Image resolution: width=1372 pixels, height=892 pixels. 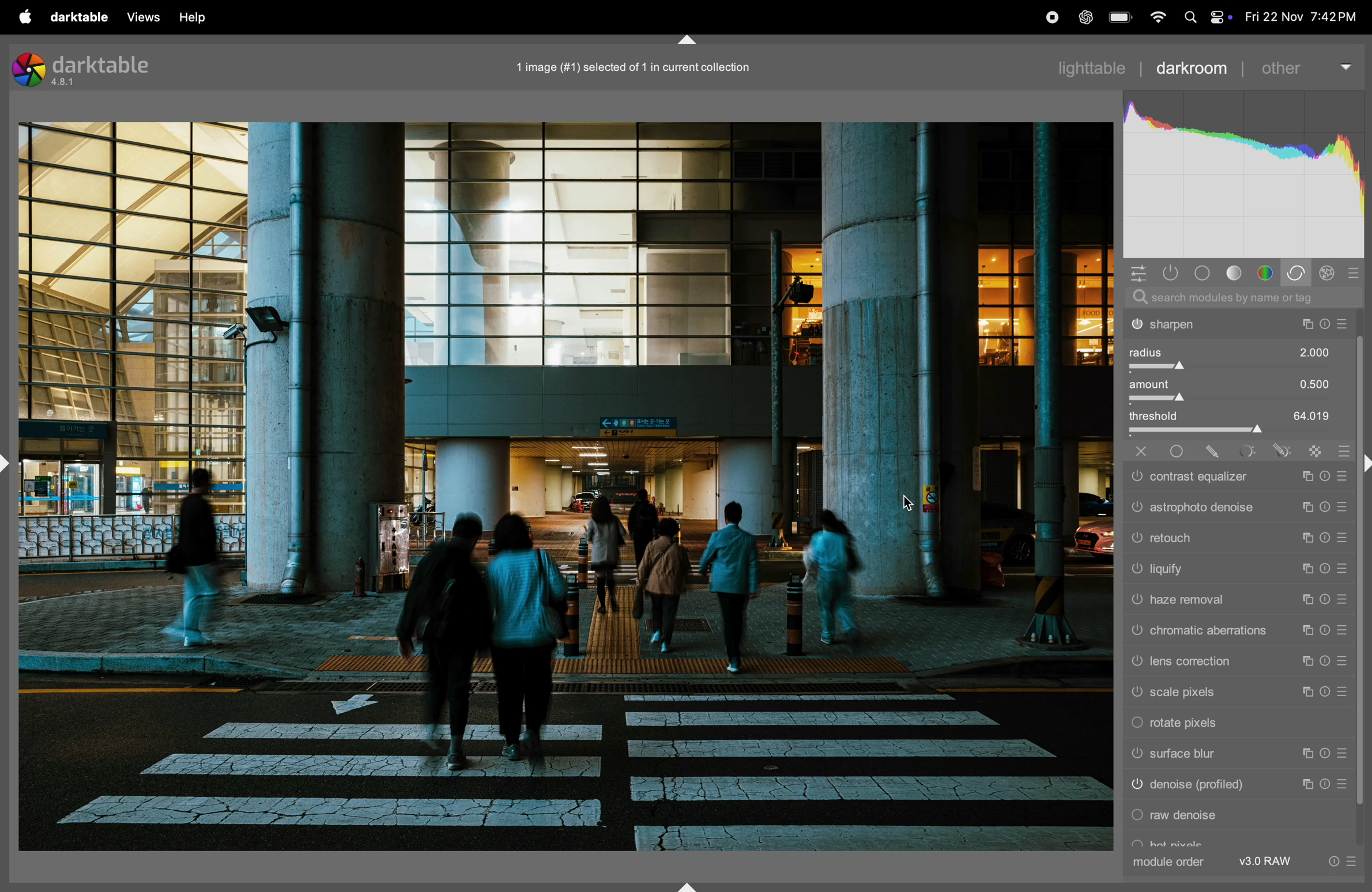 What do you see at coordinates (1269, 861) in the screenshot?
I see `v 3 raw` at bounding box center [1269, 861].